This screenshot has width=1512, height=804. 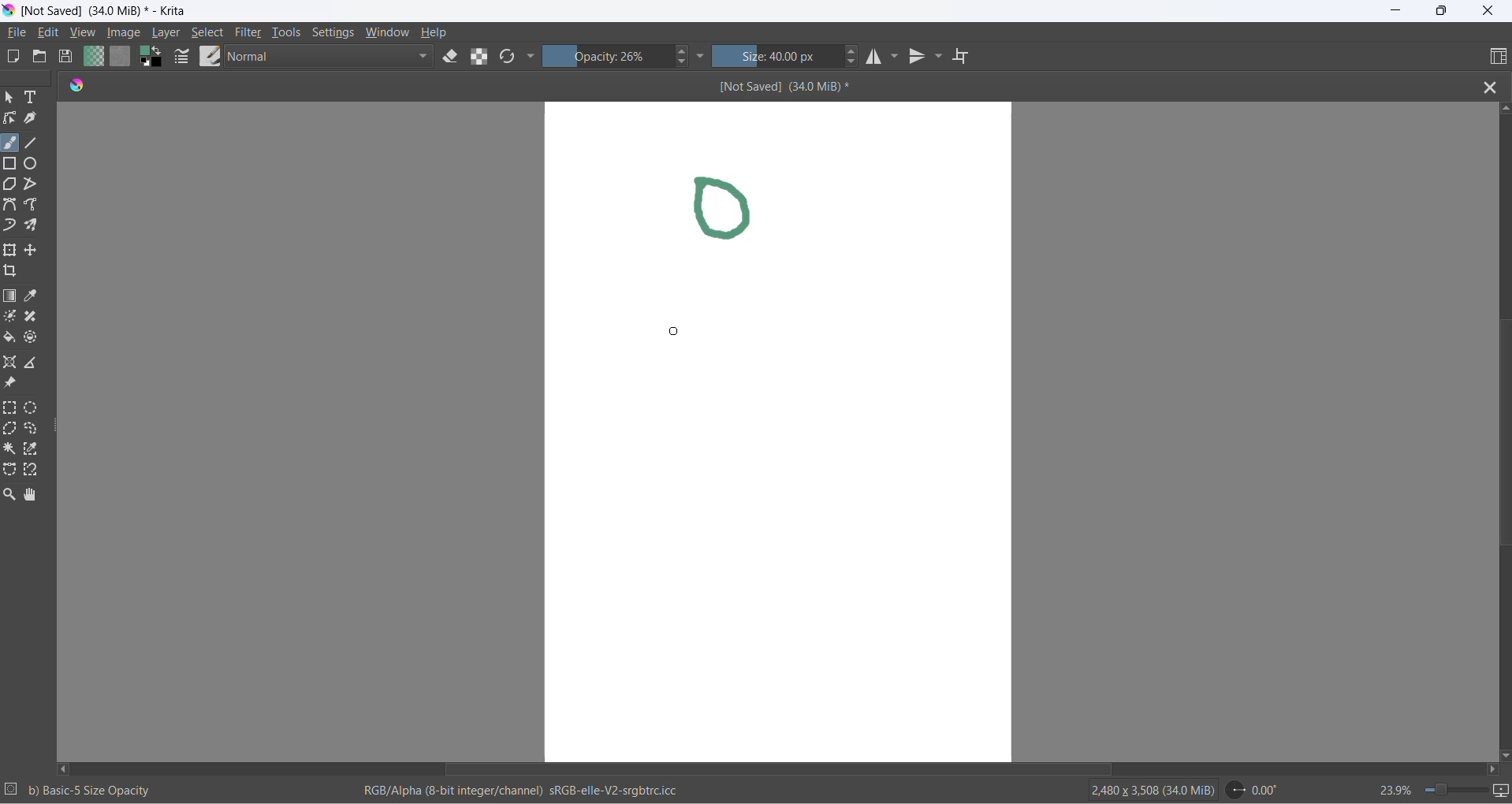 What do you see at coordinates (331, 33) in the screenshot?
I see `settings` at bounding box center [331, 33].